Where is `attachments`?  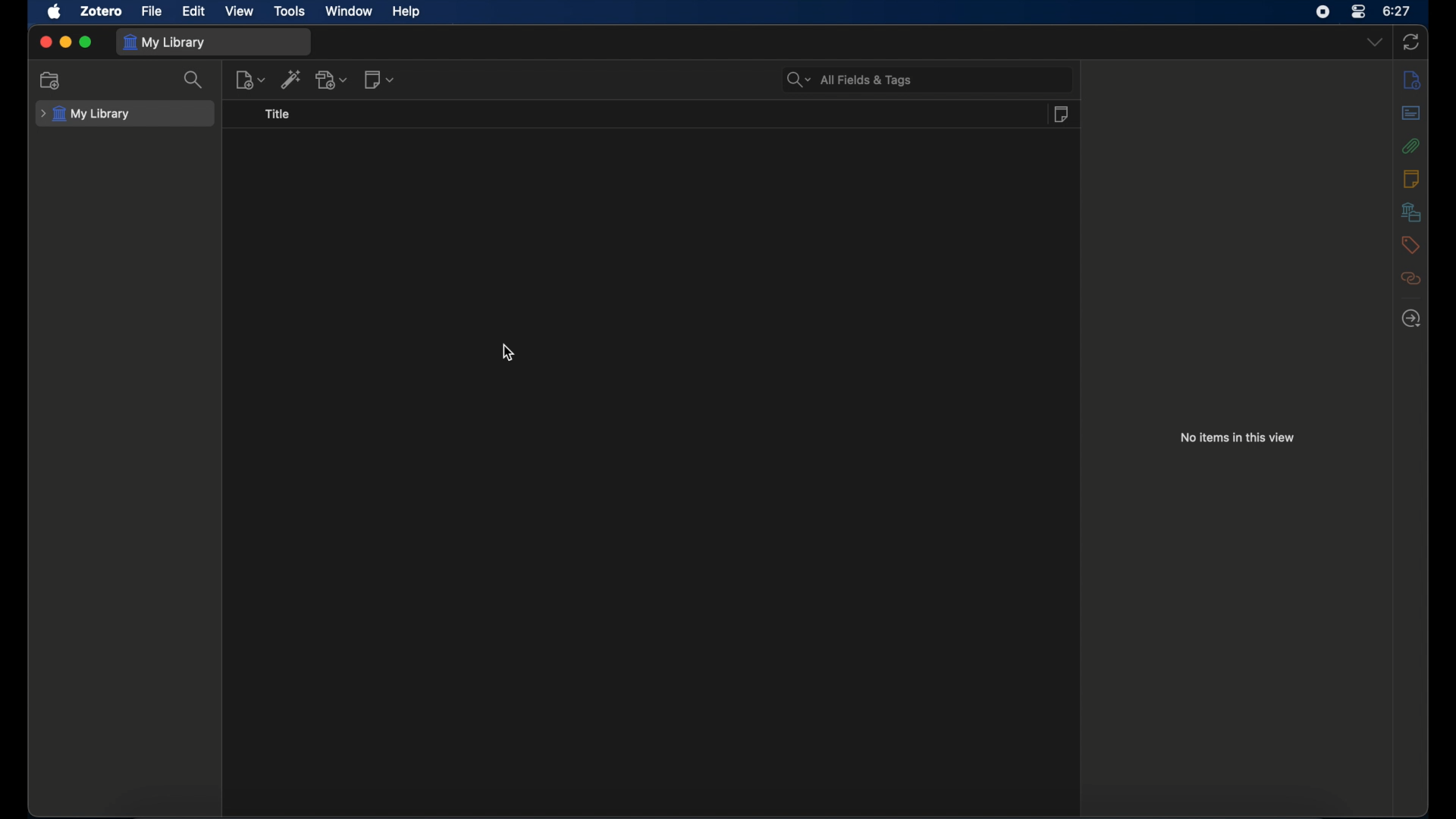 attachments is located at coordinates (1410, 146).